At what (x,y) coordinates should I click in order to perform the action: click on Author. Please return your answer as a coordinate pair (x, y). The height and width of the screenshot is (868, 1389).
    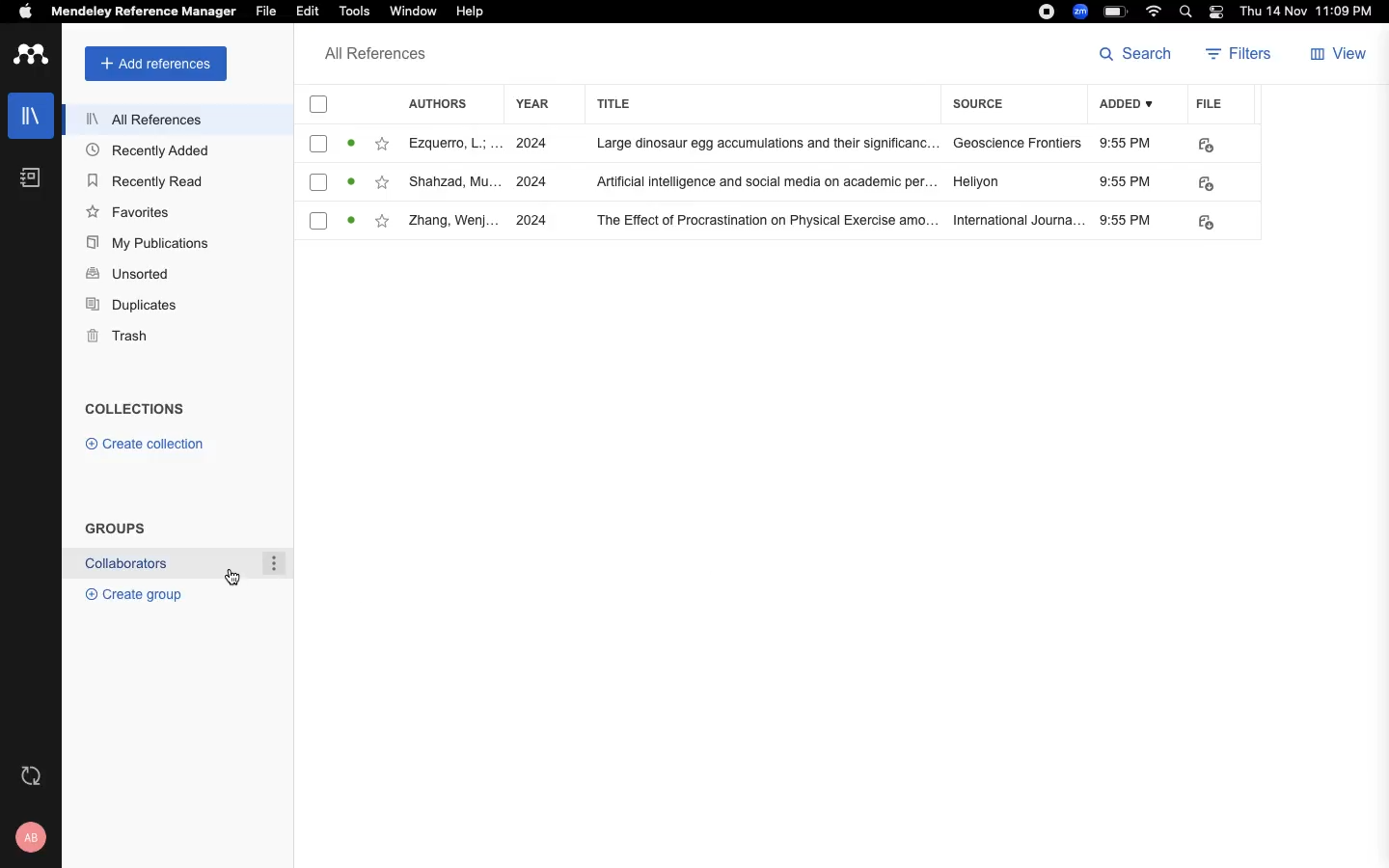
    Looking at the image, I should click on (455, 183).